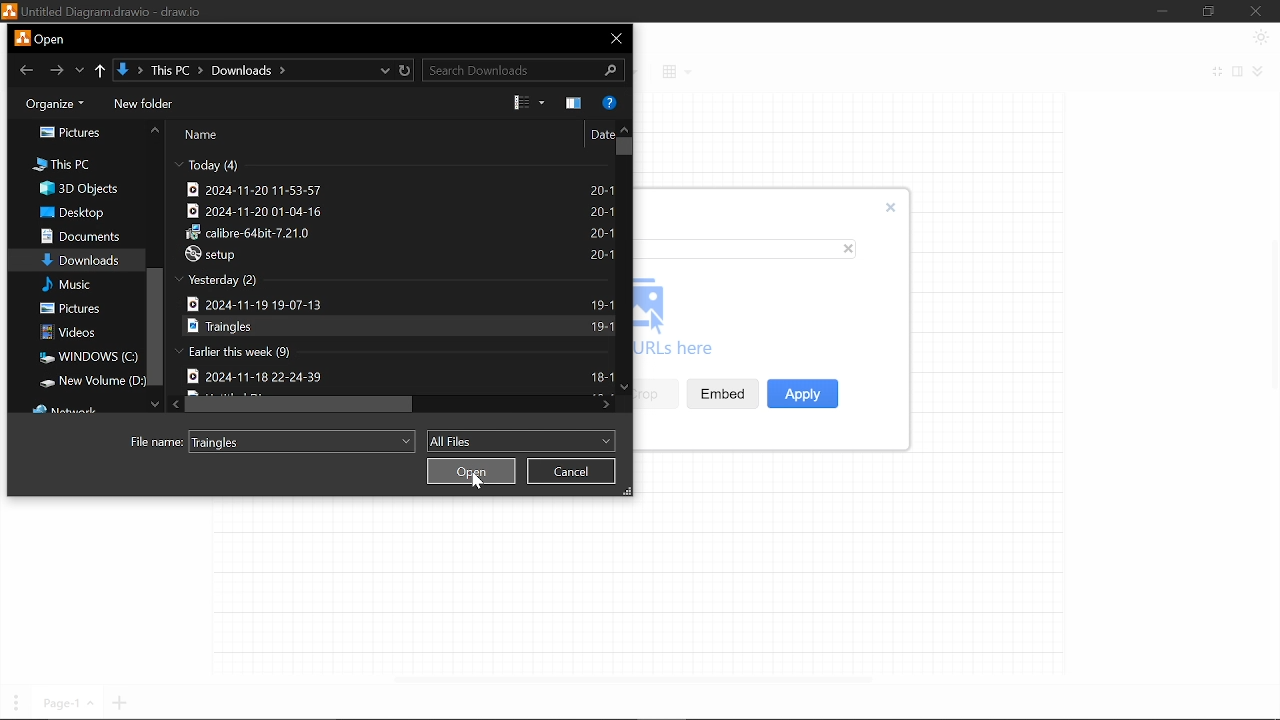  Describe the element at coordinates (522, 442) in the screenshot. I see `All files` at that location.